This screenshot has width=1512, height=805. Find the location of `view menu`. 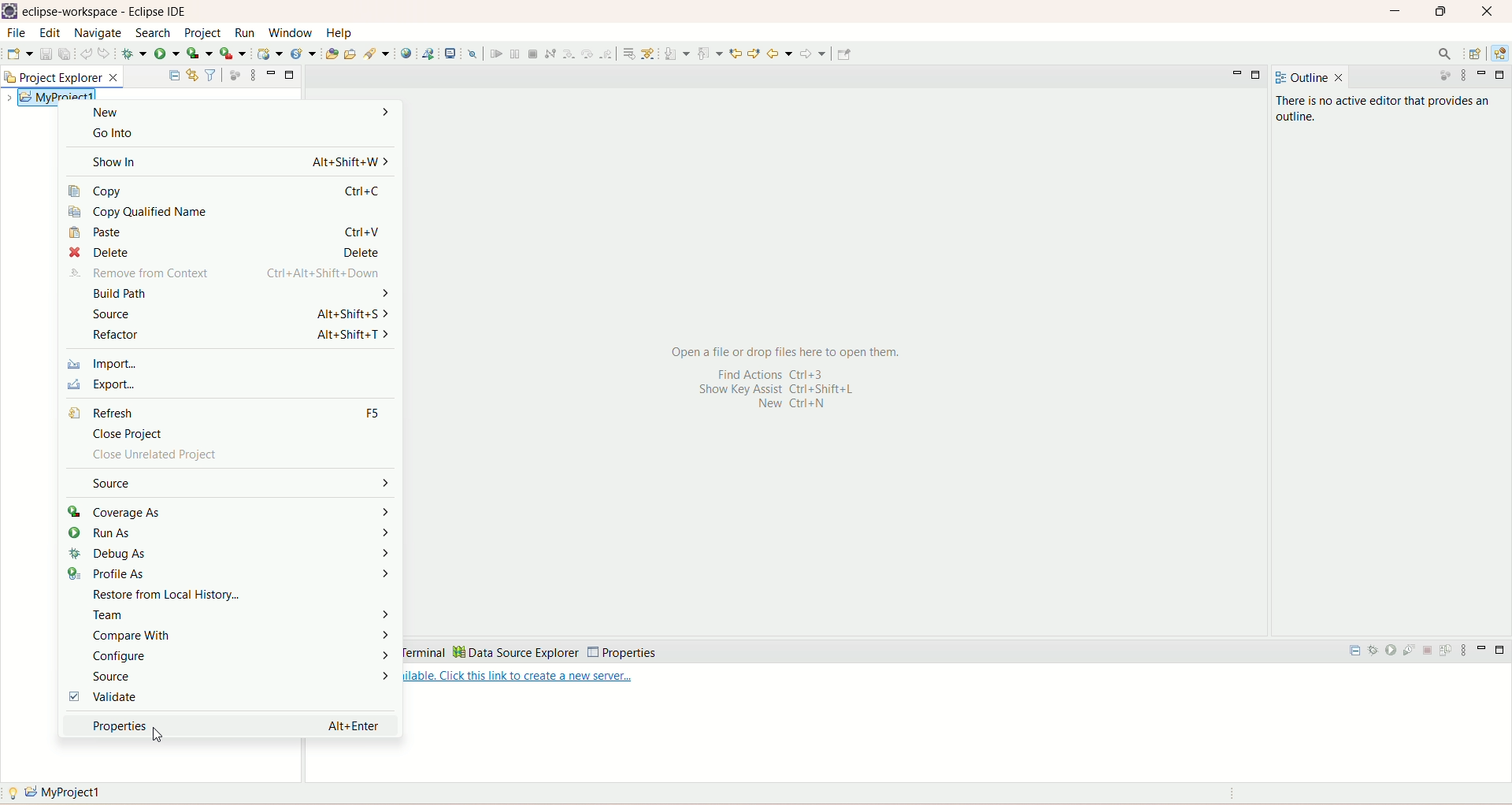

view menu is located at coordinates (1462, 75).